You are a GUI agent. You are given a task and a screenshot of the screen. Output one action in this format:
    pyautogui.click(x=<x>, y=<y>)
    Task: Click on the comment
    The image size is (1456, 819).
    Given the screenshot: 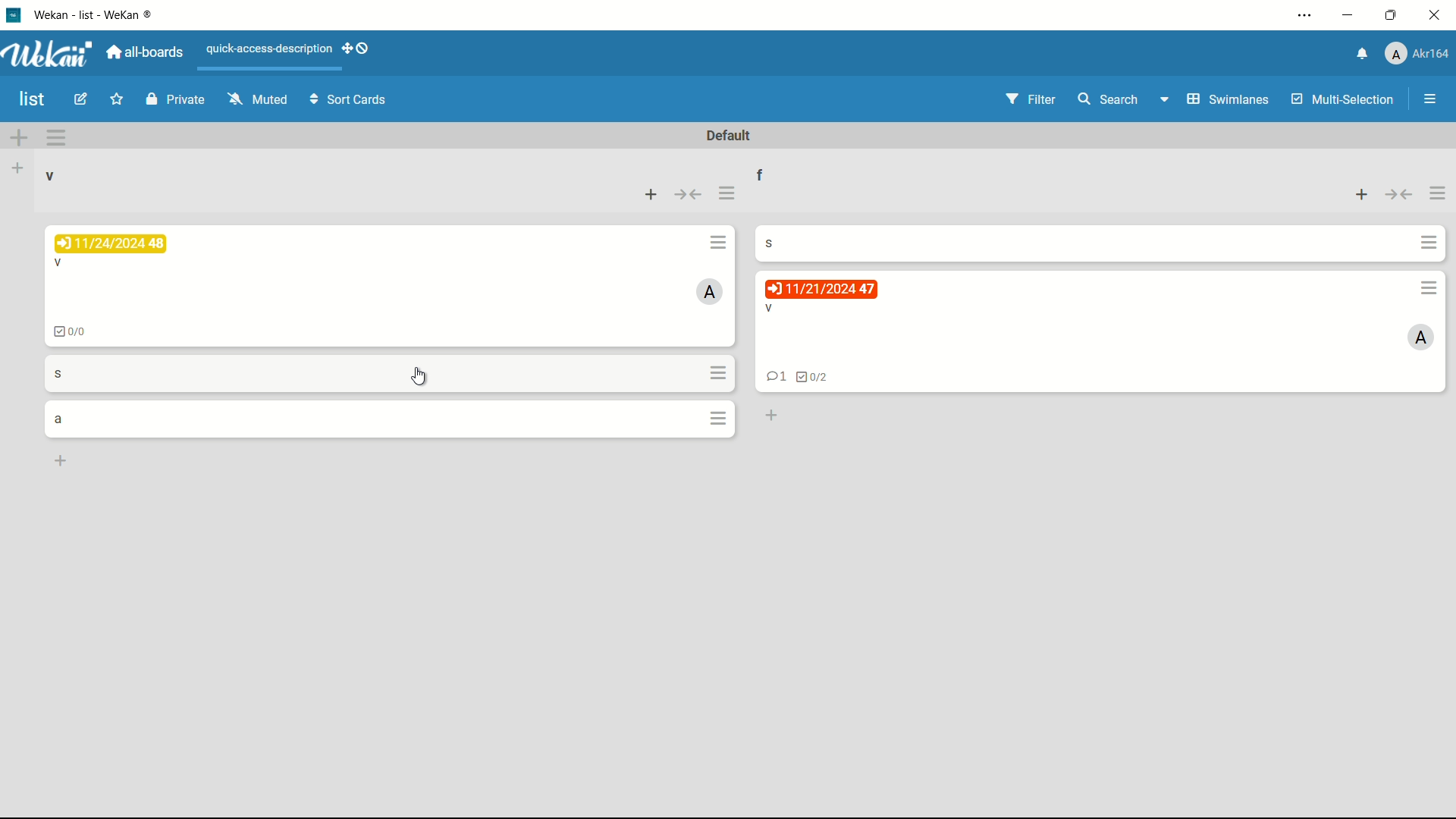 What is the action you would take?
    pyautogui.click(x=776, y=377)
    